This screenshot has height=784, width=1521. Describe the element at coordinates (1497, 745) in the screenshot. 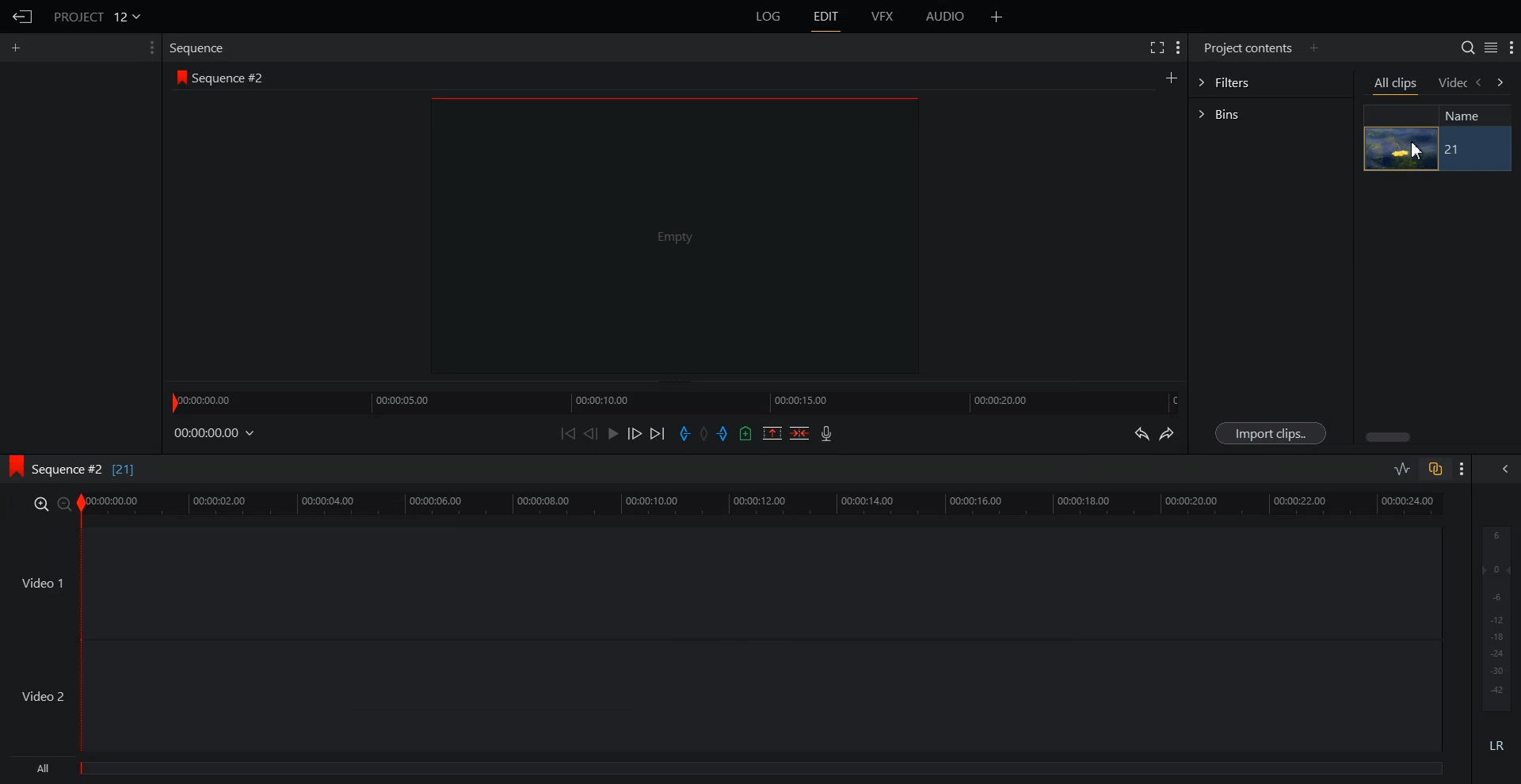

I see `Mute` at that location.